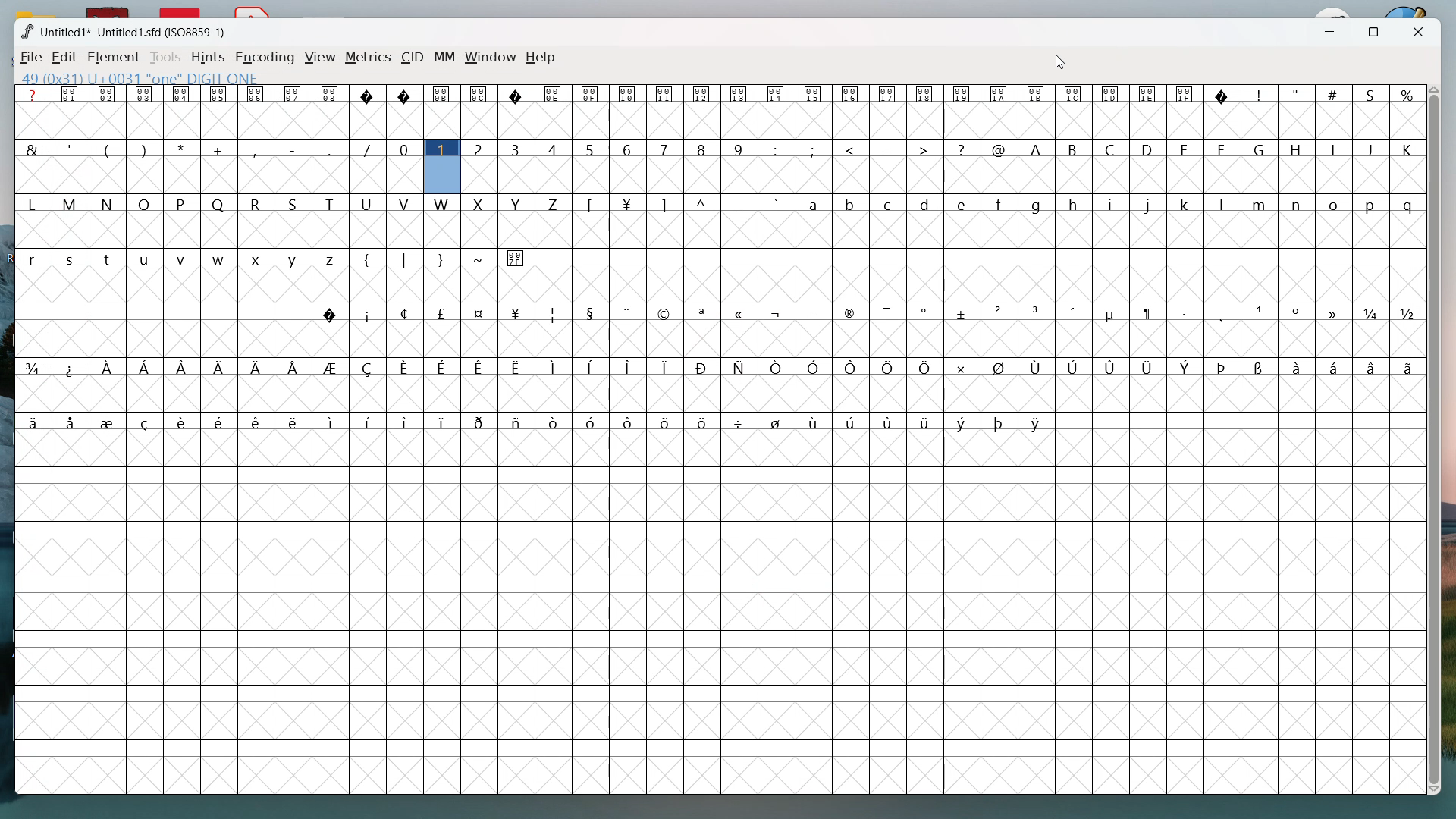 This screenshot has width=1456, height=819. I want to click on symbol, so click(370, 94).